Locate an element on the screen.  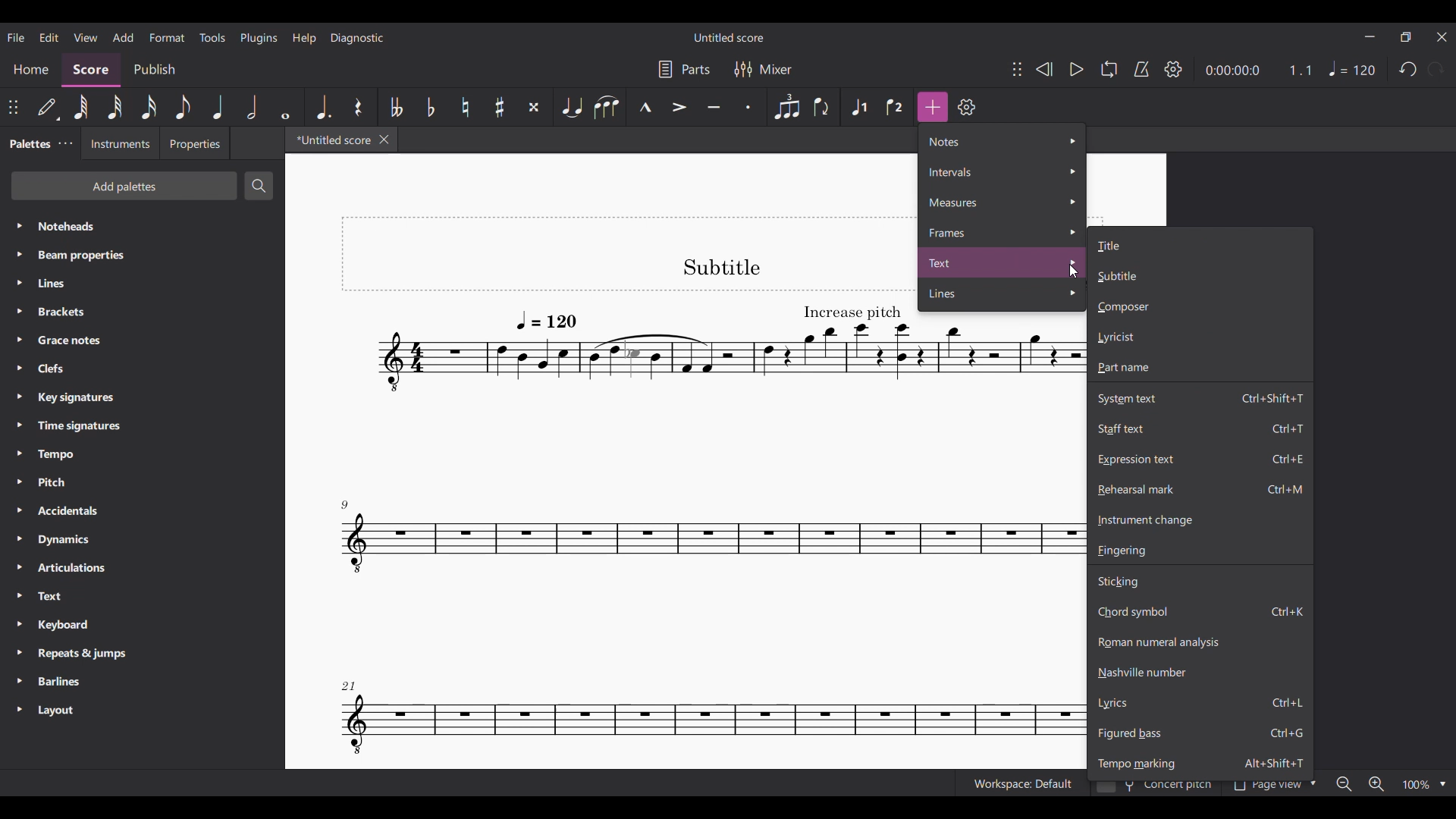
System text is located at coordinates (1200, 397).